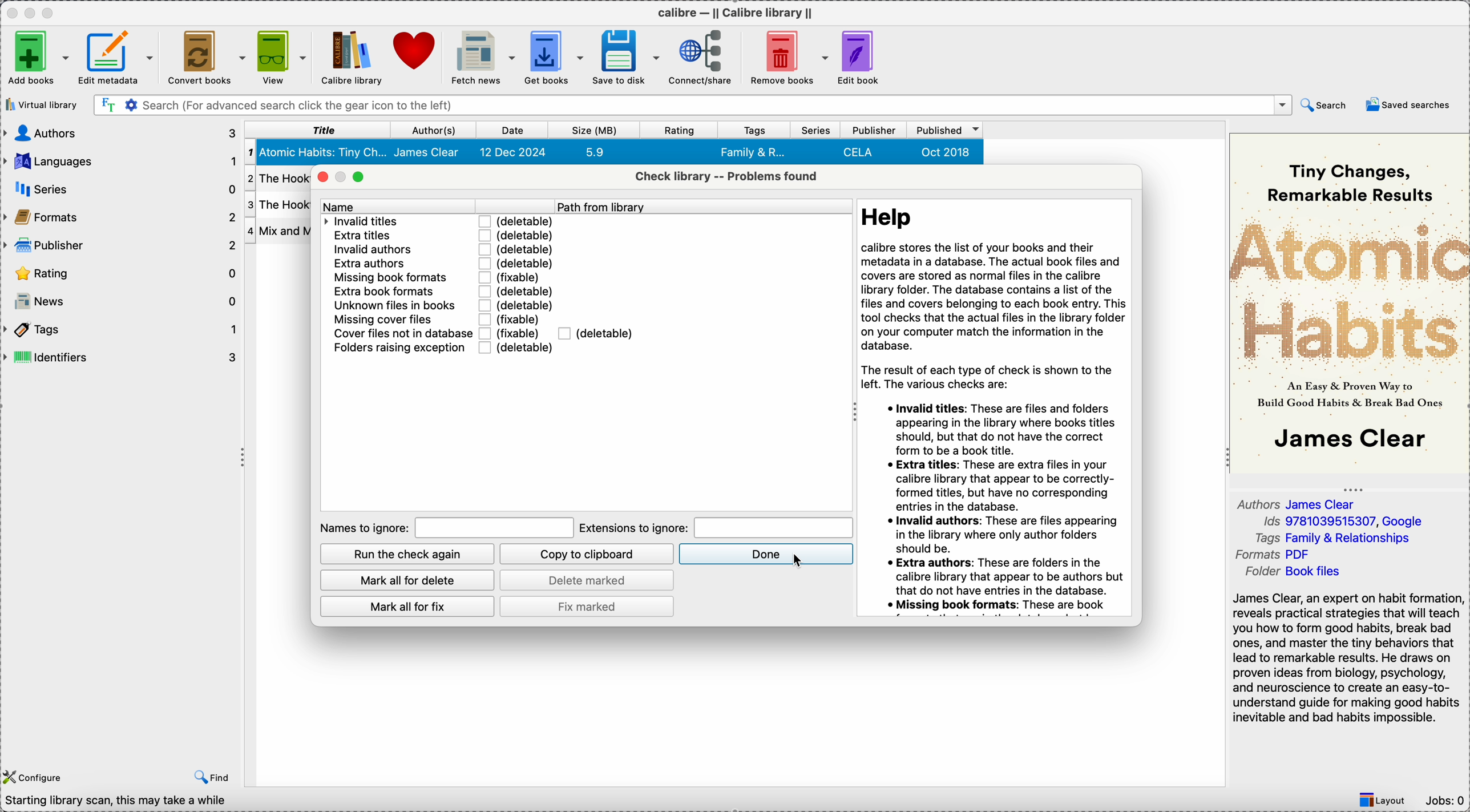 The width and height of the screenshot is (1470, 812). I want to click on click on done, so click(765, 554).